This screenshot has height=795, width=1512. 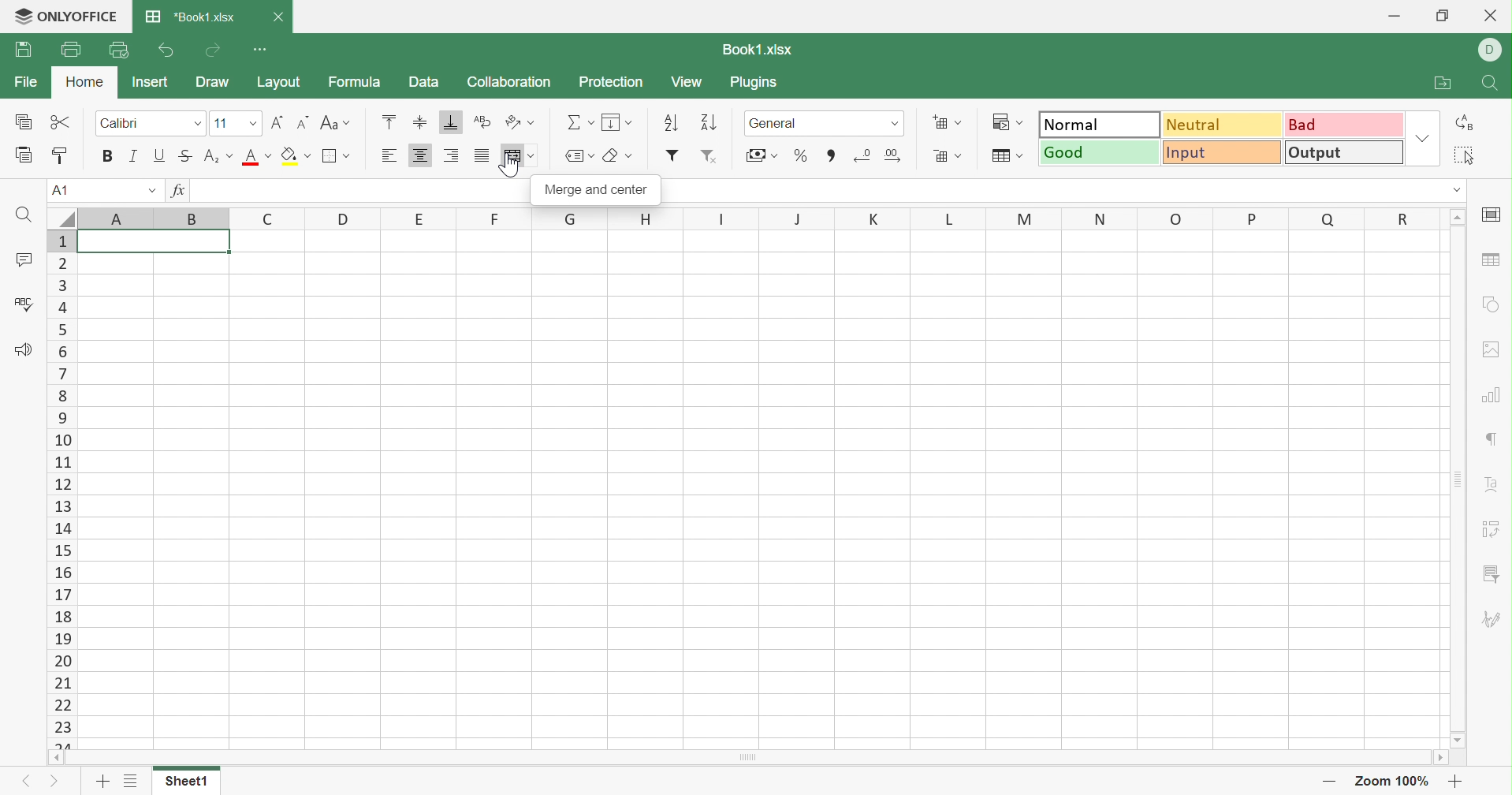 I want to click on Undo, so click(x=167, y=52).